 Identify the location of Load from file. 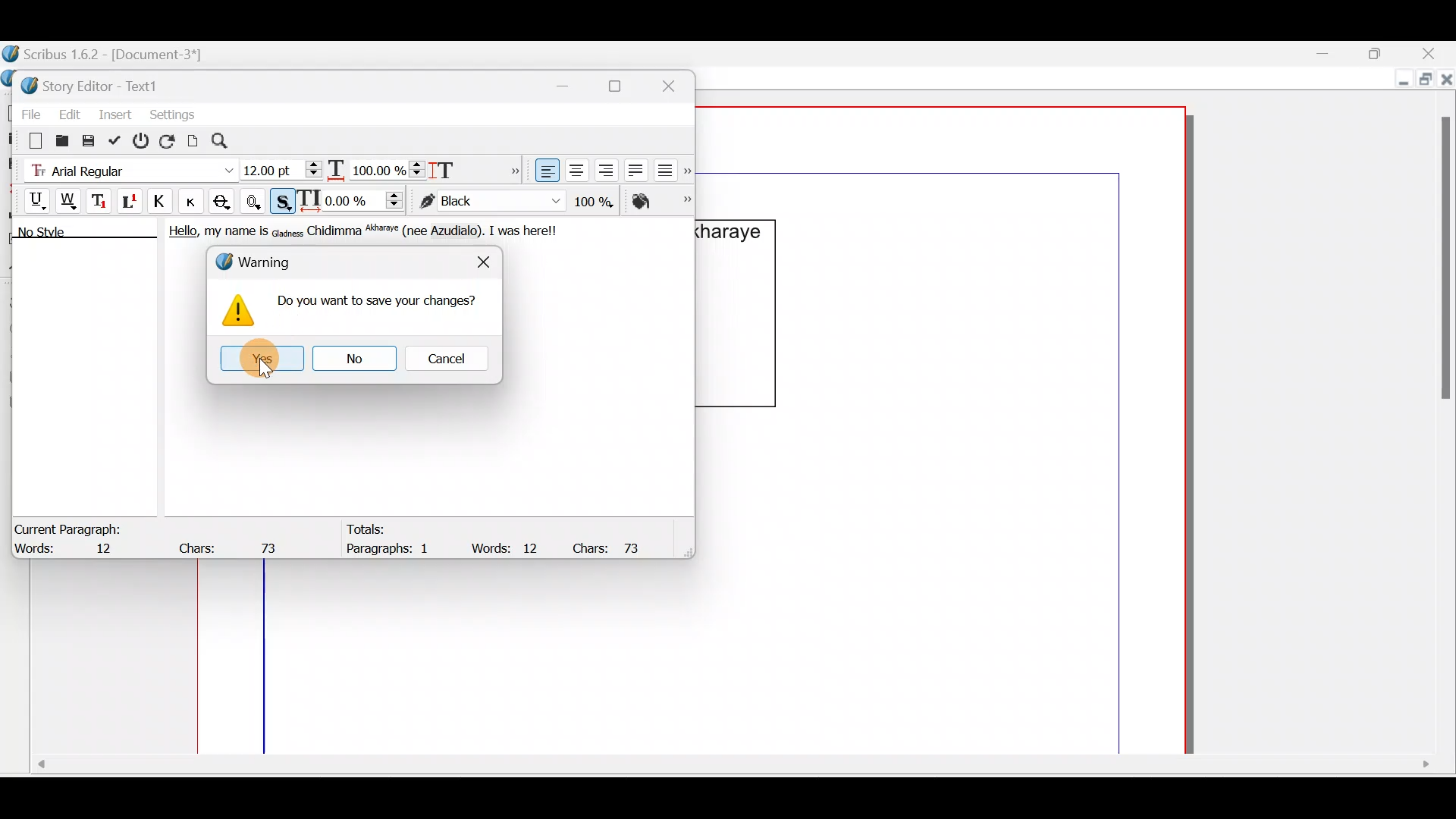
(61, 140).